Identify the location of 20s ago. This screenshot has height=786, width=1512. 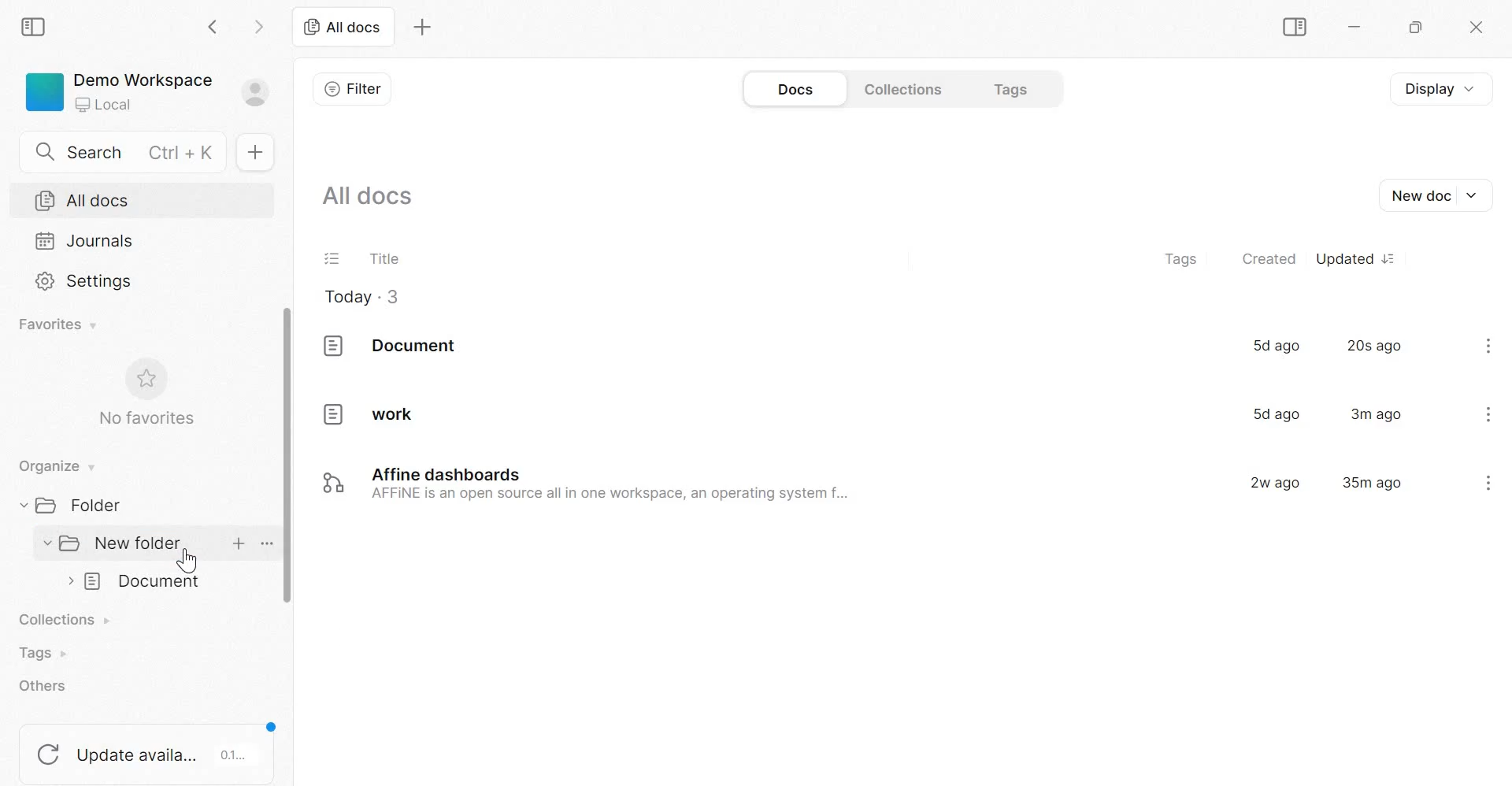
(1374, 346).